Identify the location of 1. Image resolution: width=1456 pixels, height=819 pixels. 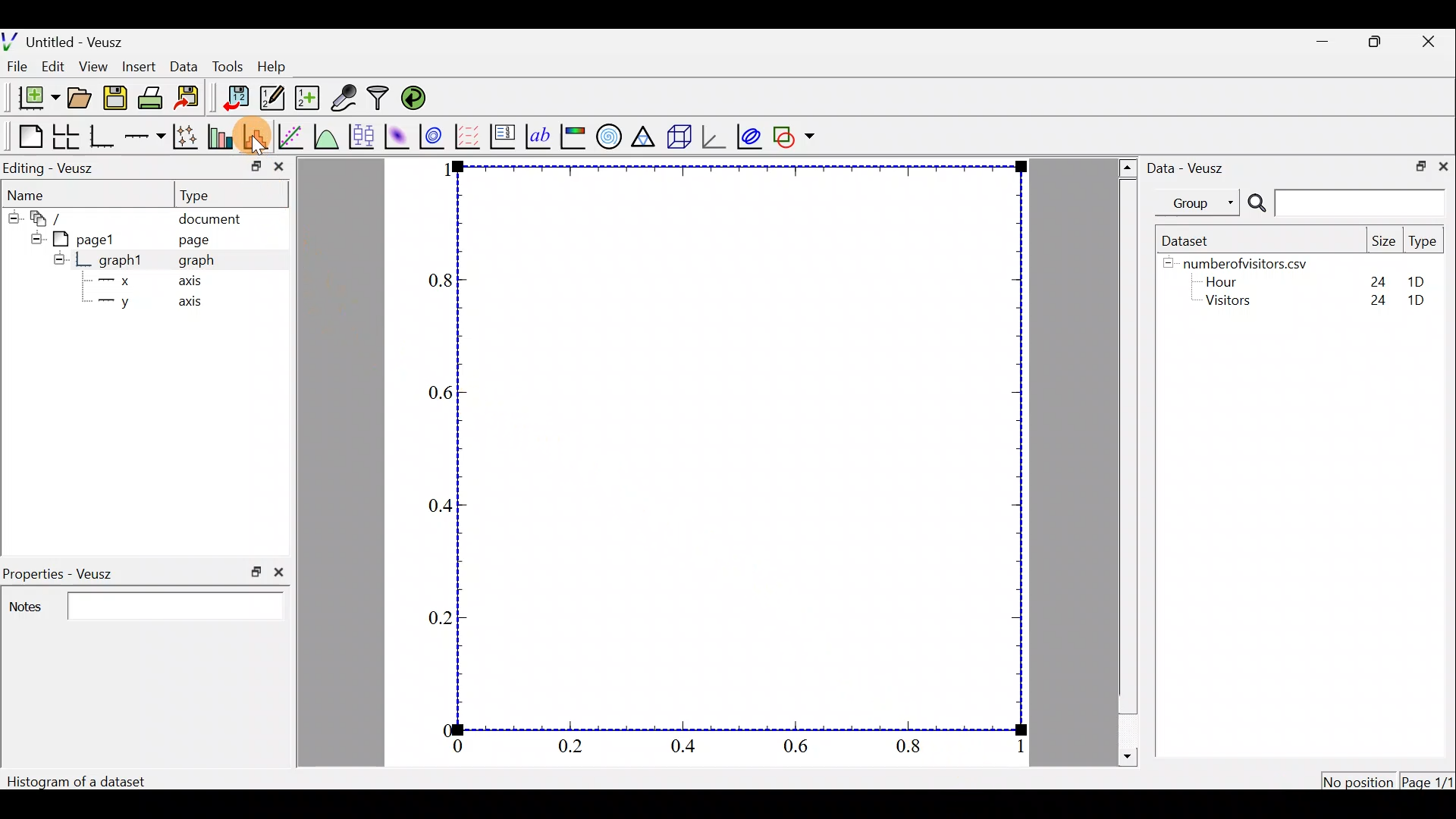
(442, 173).